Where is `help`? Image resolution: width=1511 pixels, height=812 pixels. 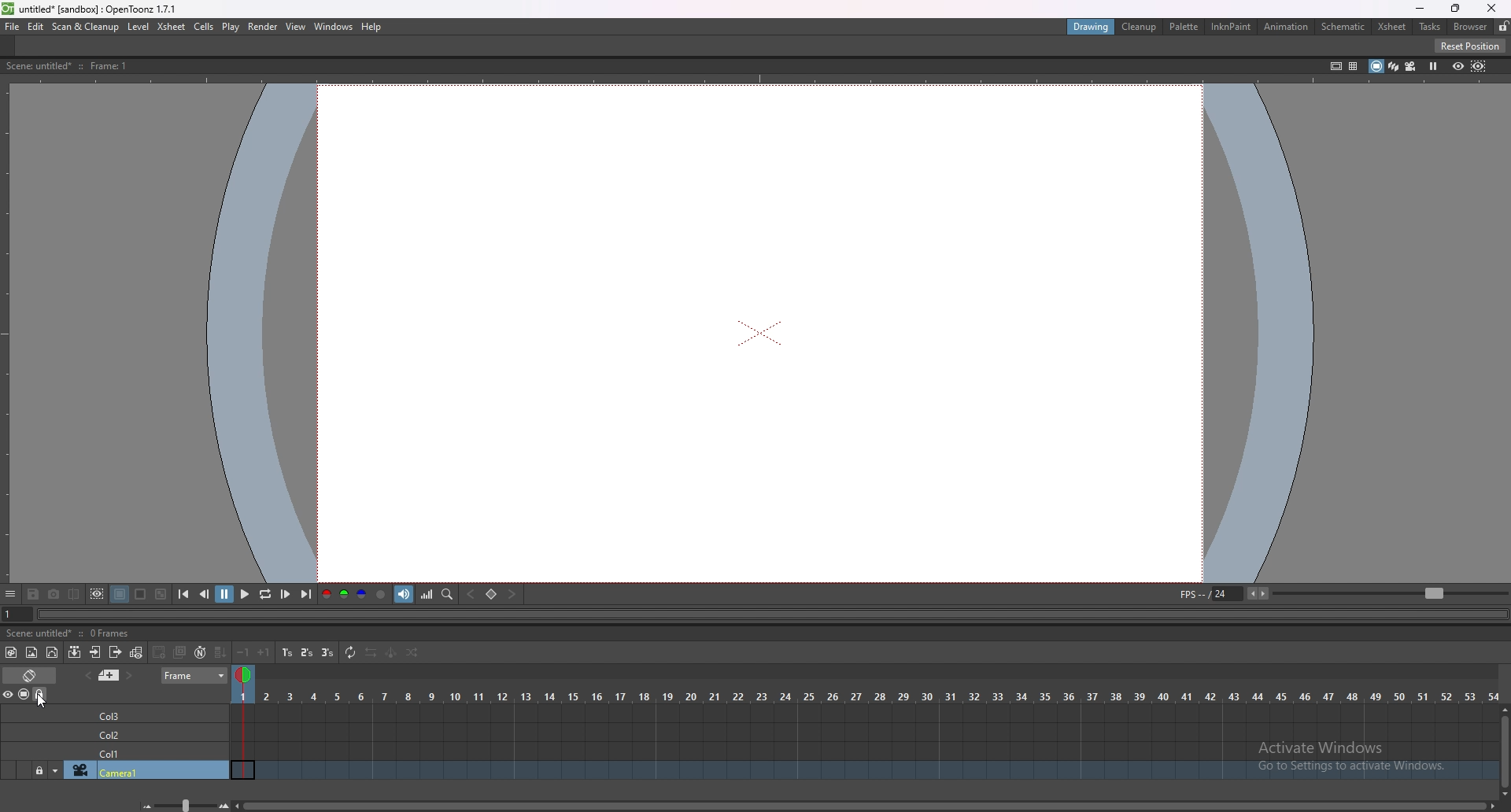 help is located at coordinates (374, 27).